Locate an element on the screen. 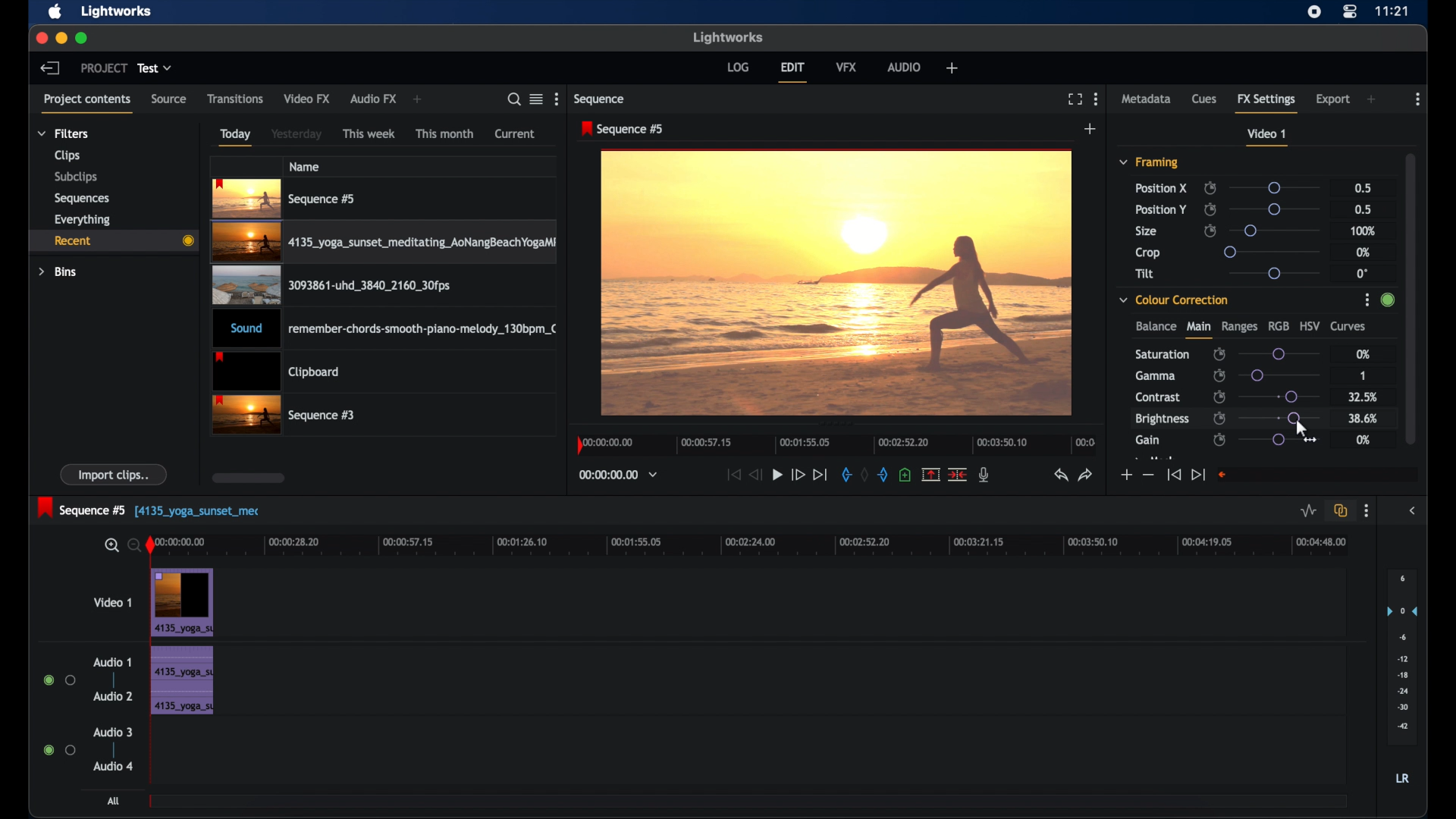 The width and height of the screenshot is (1456, 819). today is located at coordinates (235, 137).